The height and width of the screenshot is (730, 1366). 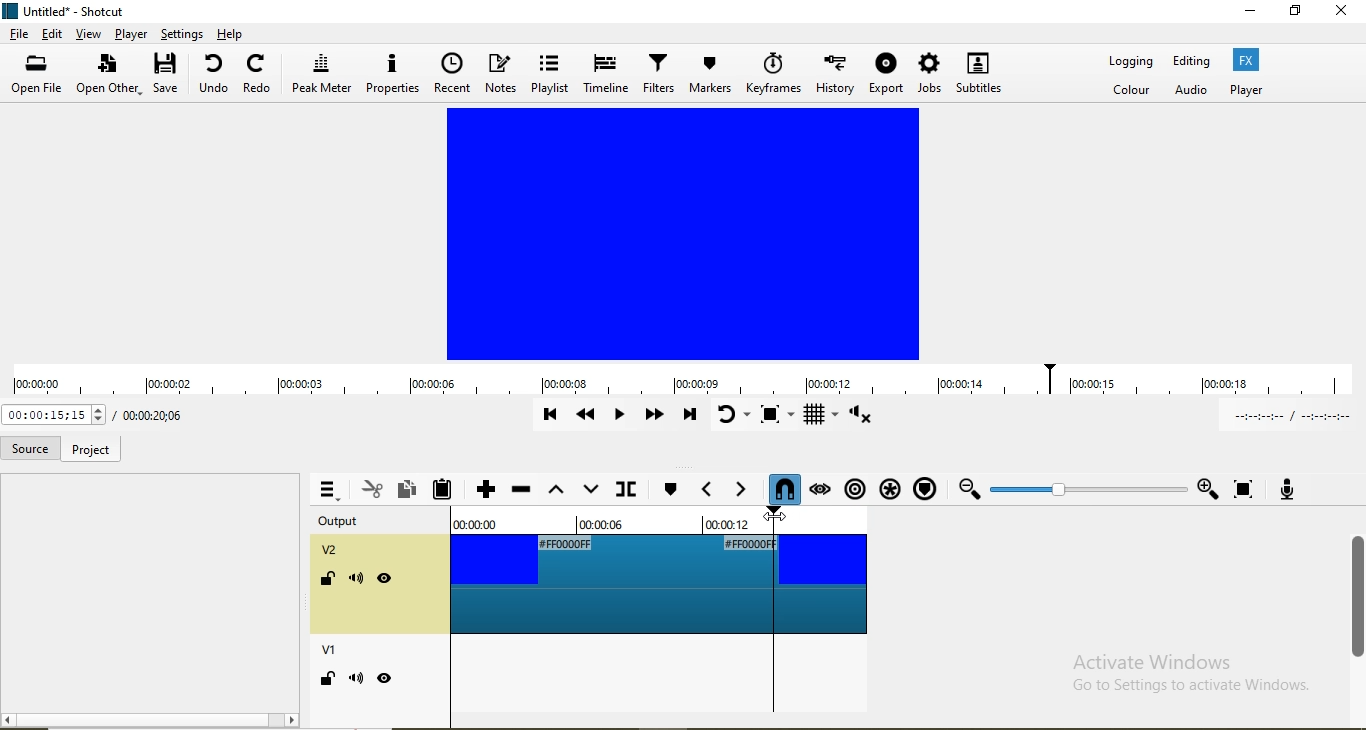 What do you see at coordinates (658, 586) in the screenshot?
I see `video track` at bounding box center [658, 586].